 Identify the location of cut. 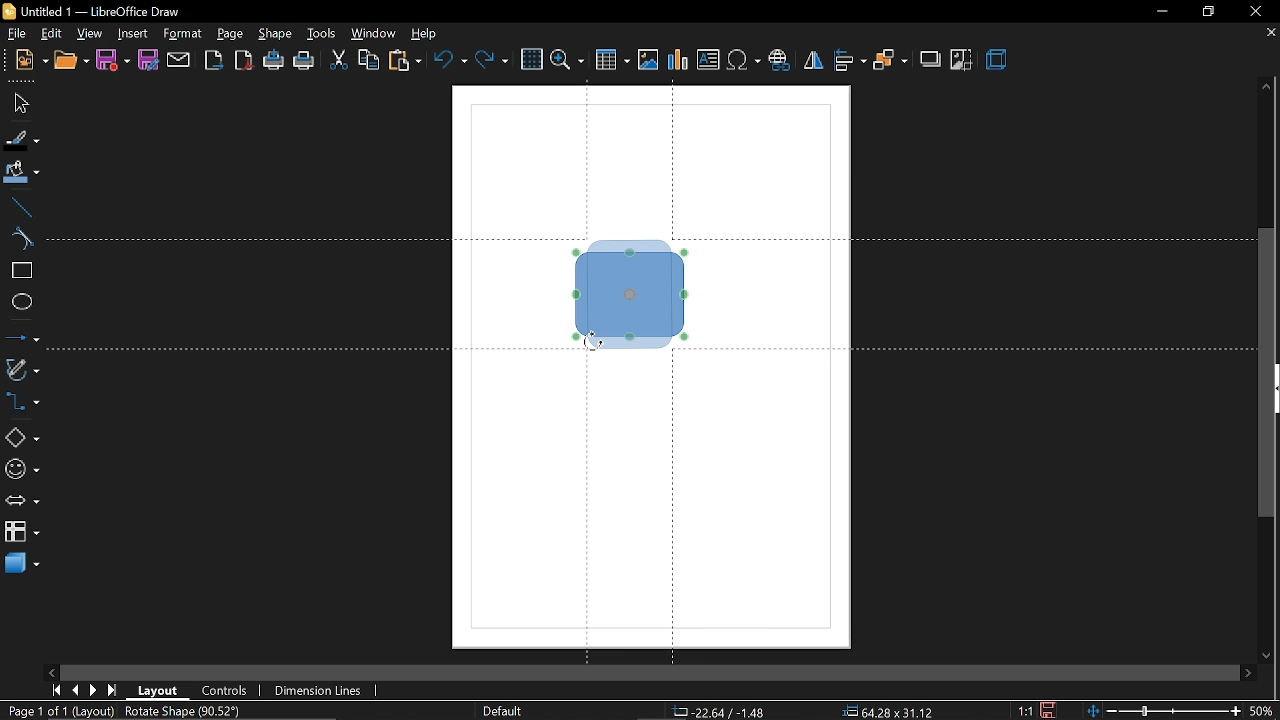
(340, 60).